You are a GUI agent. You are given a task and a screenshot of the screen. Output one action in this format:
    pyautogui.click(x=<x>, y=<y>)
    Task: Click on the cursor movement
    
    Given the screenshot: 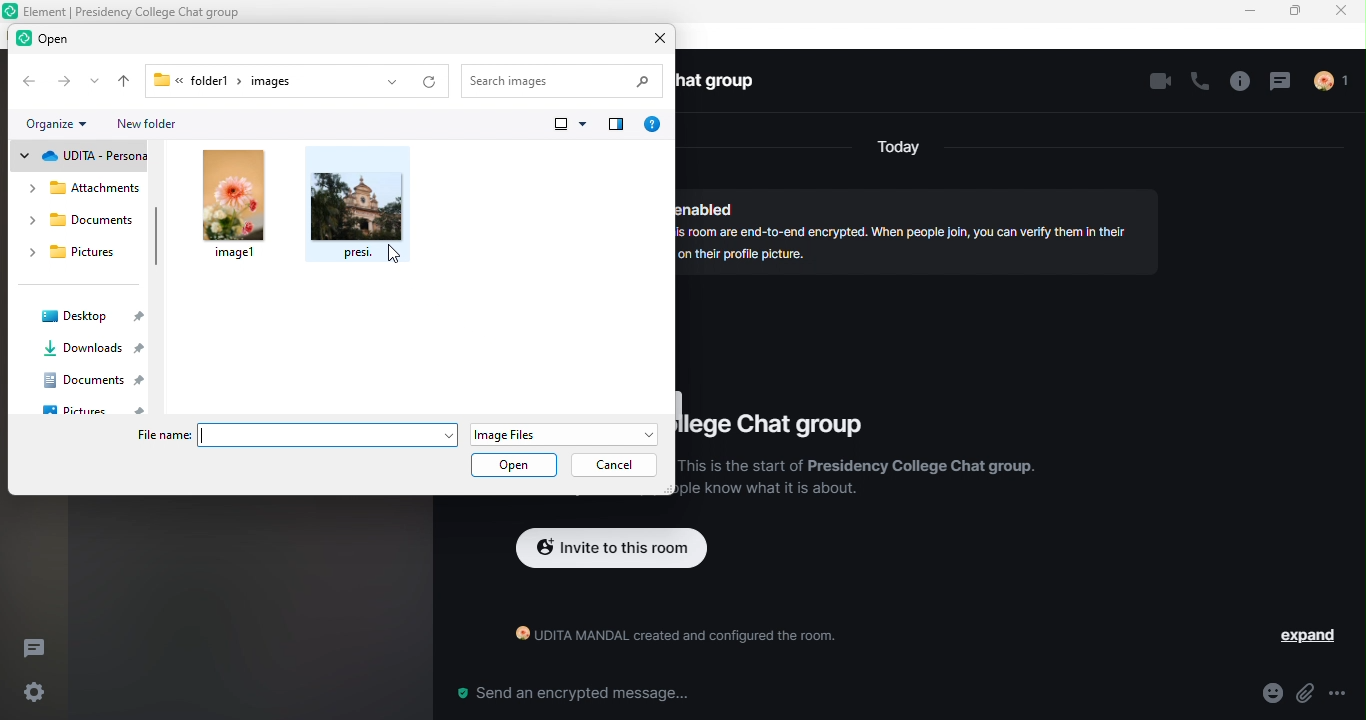 What is the action you would take?
    pyautogui.click(x=391, y=252)
    